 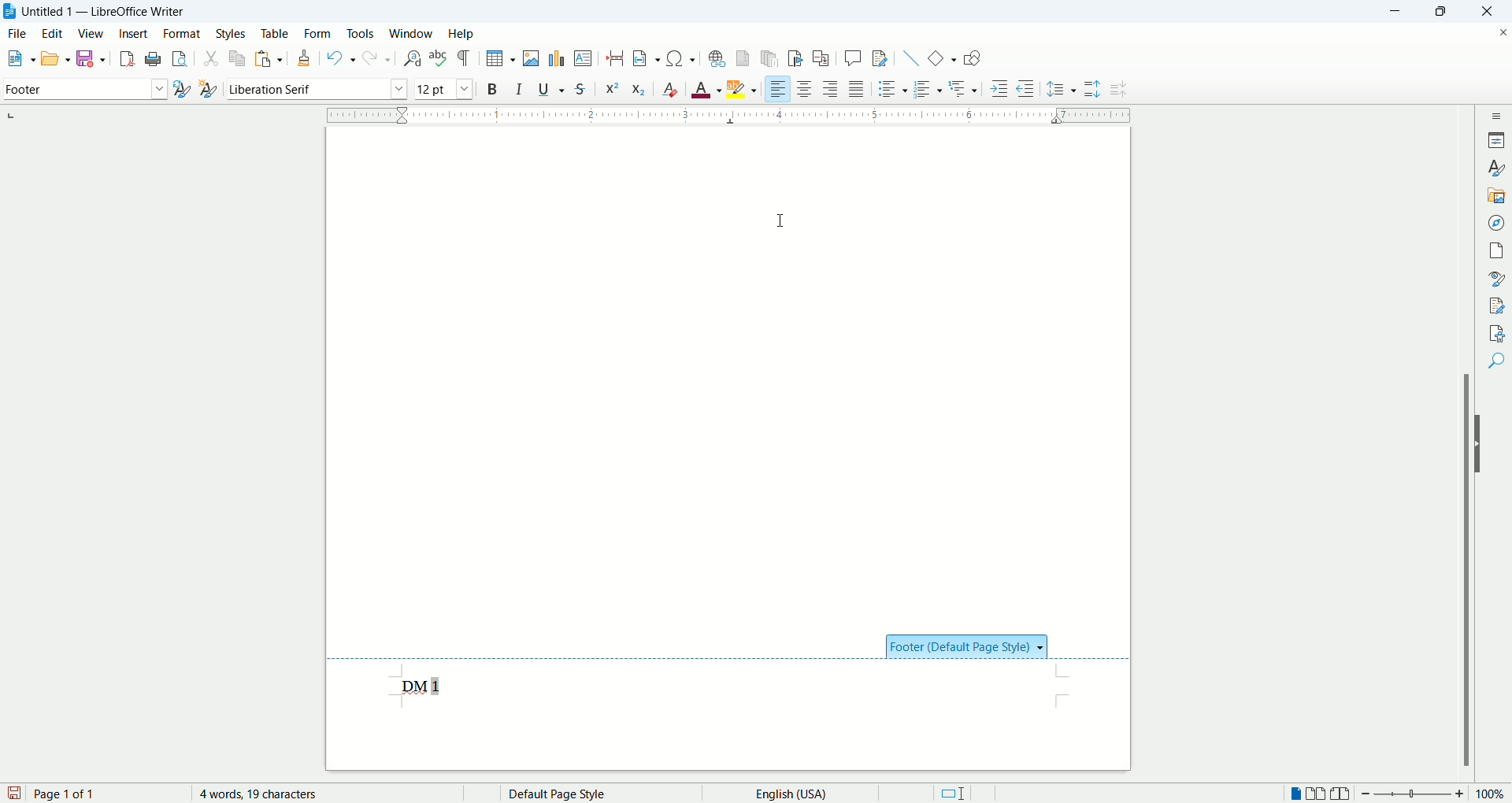 I want to click on underline, so click(x=554, y=89).